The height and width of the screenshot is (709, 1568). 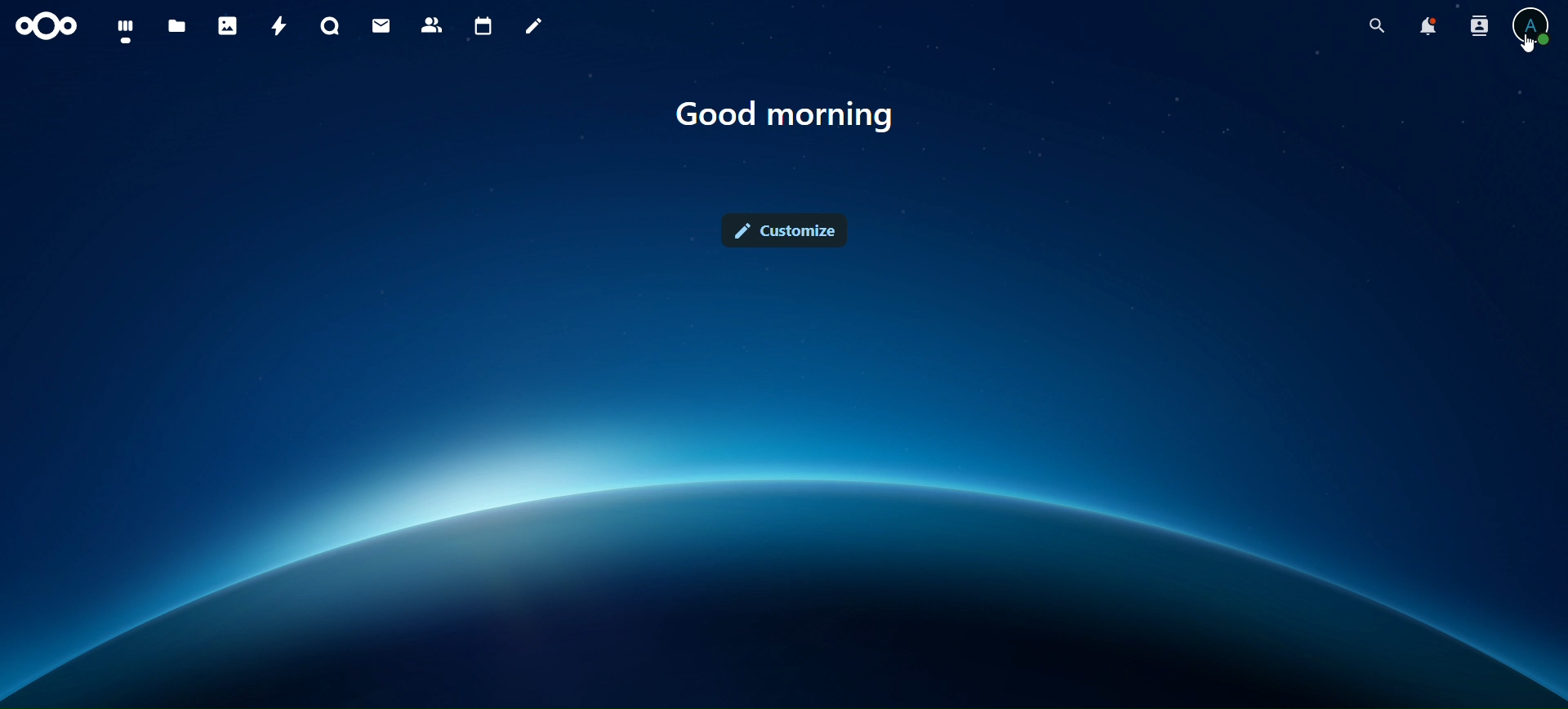 What do you see at coordinates (793, 118) in the screenshot?
I see `text` at bounding box center [793, 118].